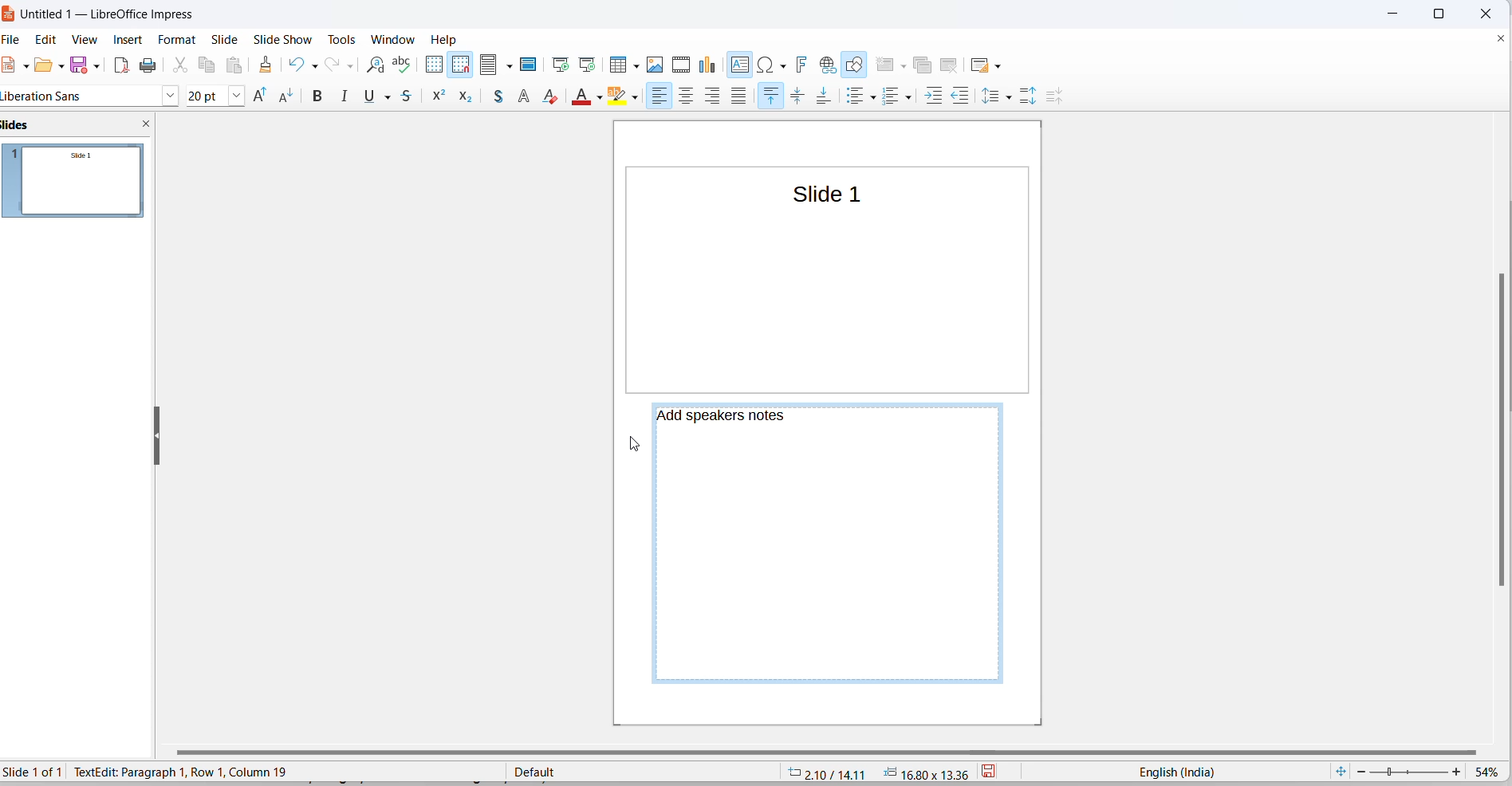 The image size is (1512, 786). What do you see at coordinates (37, 772) in the screenshot?
I see `current slide` at bounding box center [37, 772].